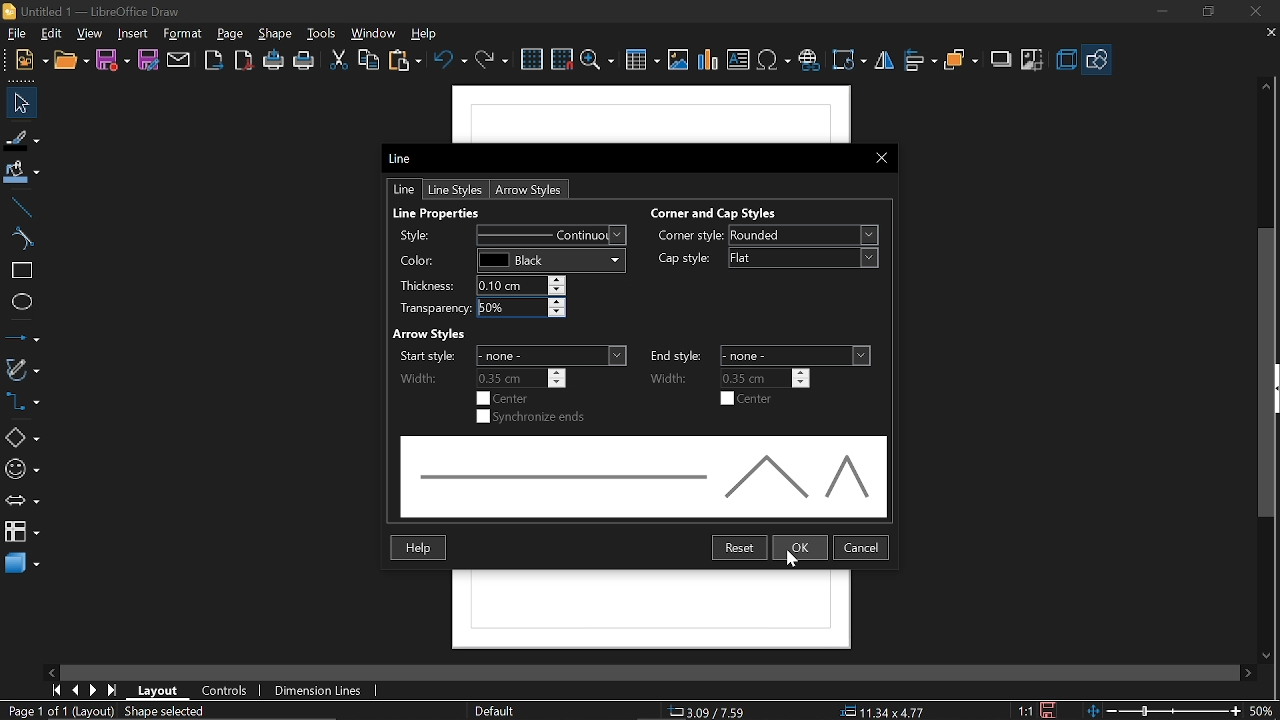 This screenshot has height=720, width=1280. I want to click on Current window, so click(402, 160).